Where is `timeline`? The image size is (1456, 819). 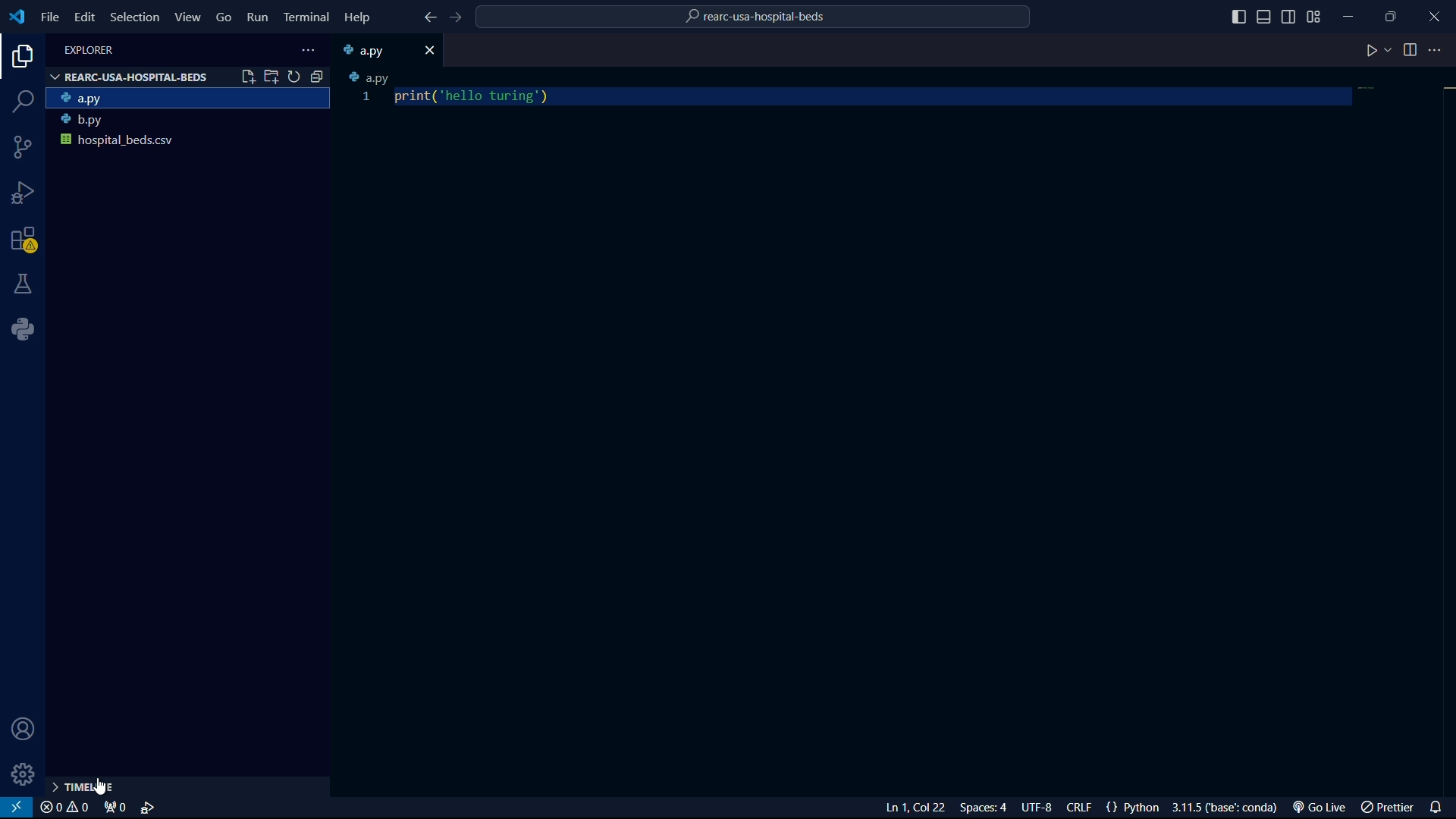 timeline is located at coordinates (101, 787).